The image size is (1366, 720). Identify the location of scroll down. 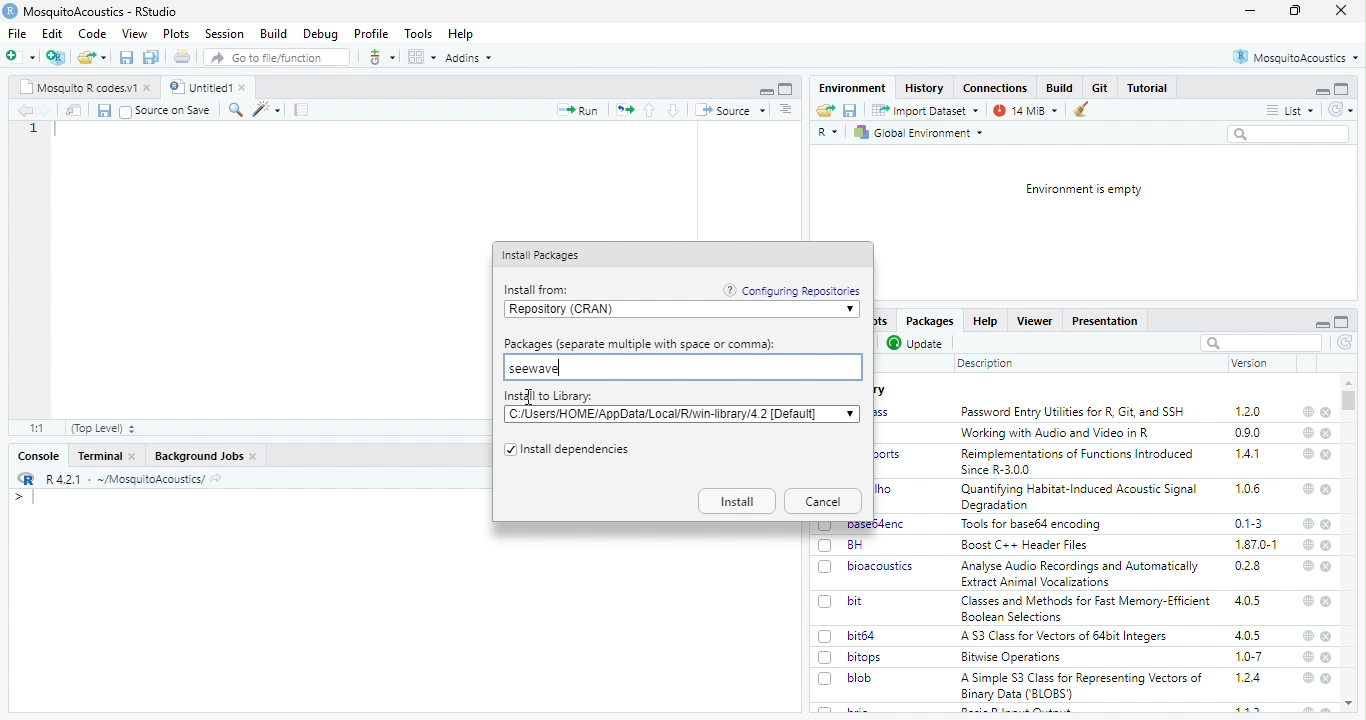
(1350, 704).